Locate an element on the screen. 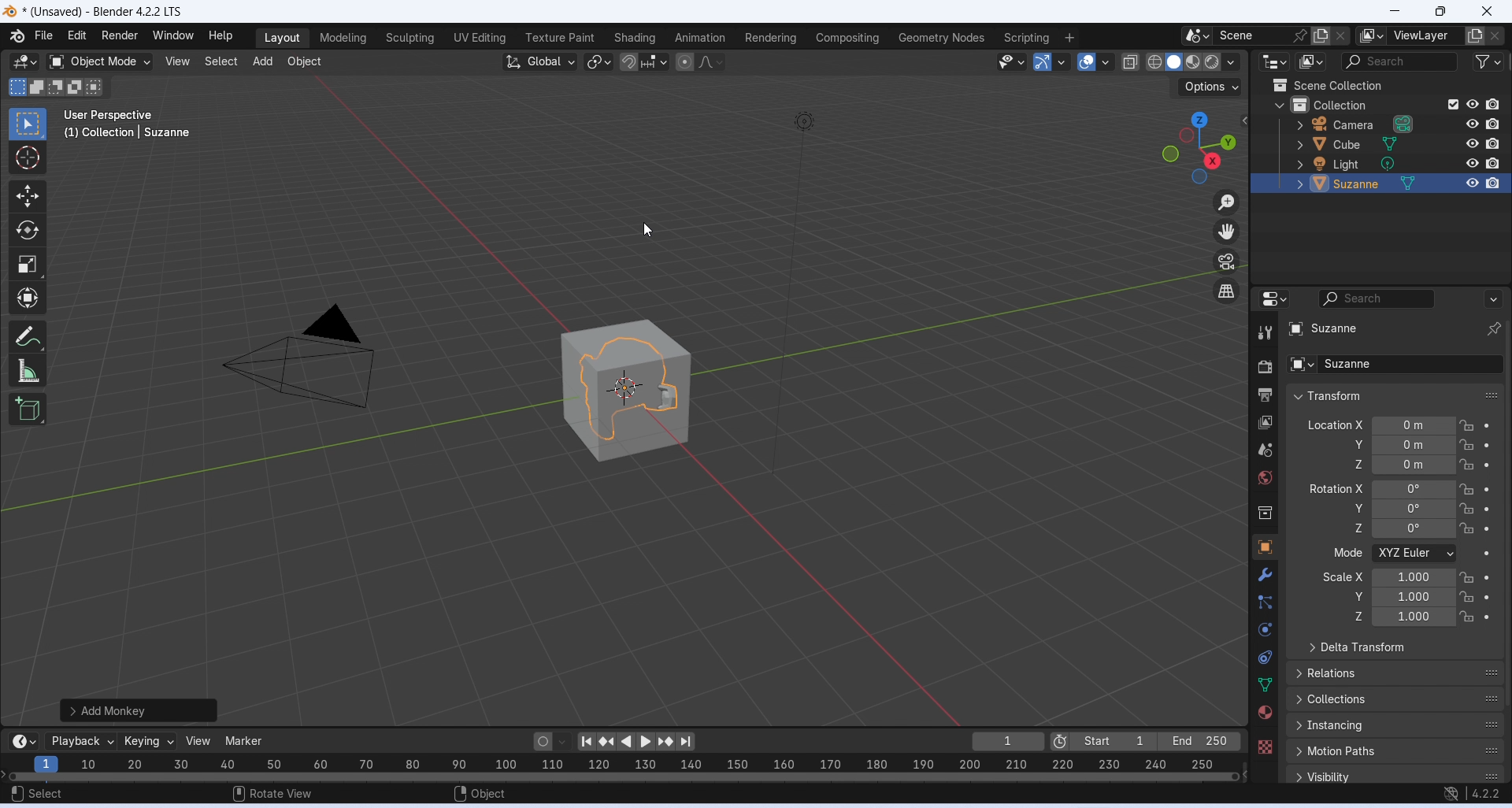 This screenshot has height=808, width=1512. transform orientation is located at coordinates (540, 62).